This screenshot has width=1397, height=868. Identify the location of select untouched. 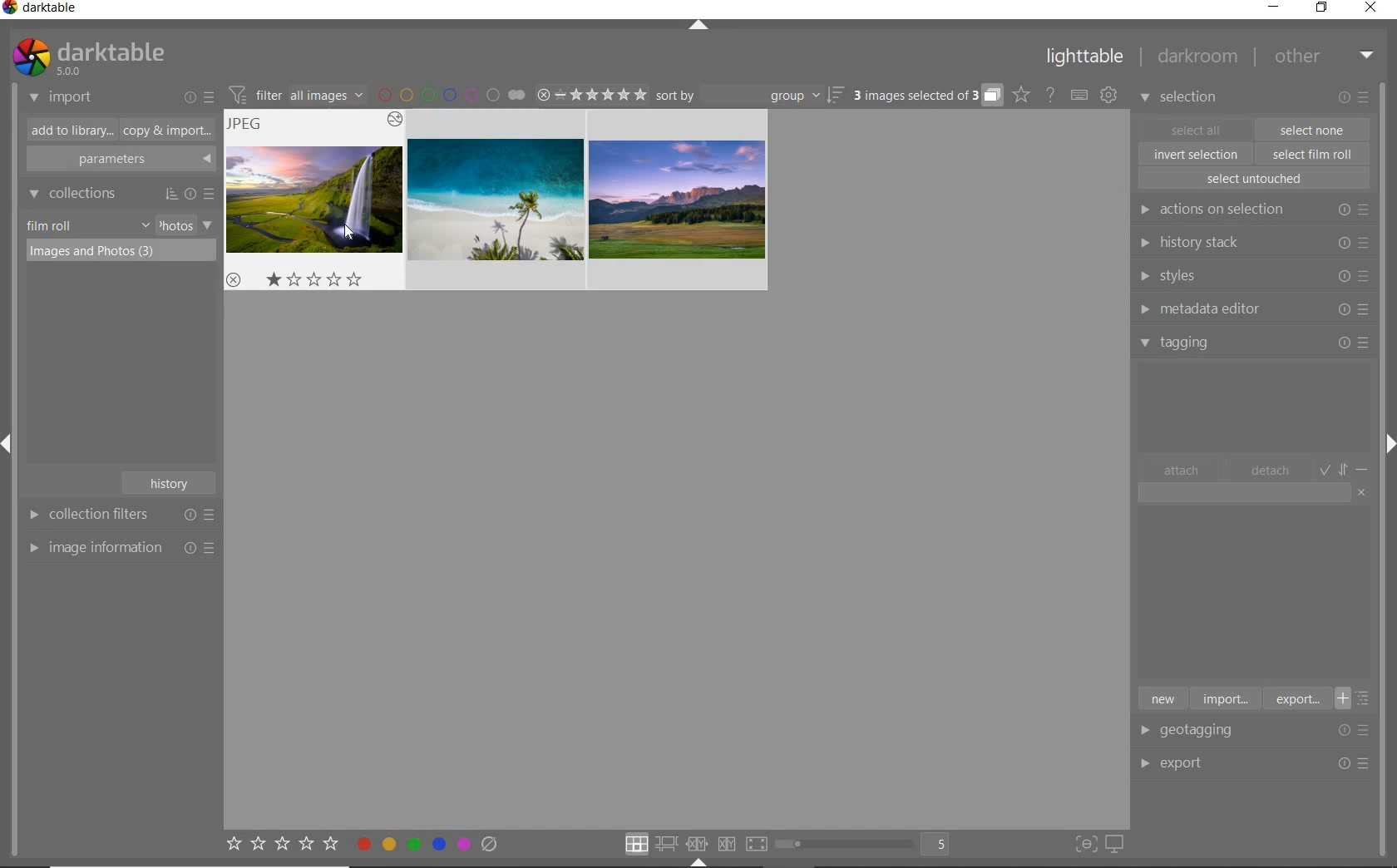
(1253, 179).